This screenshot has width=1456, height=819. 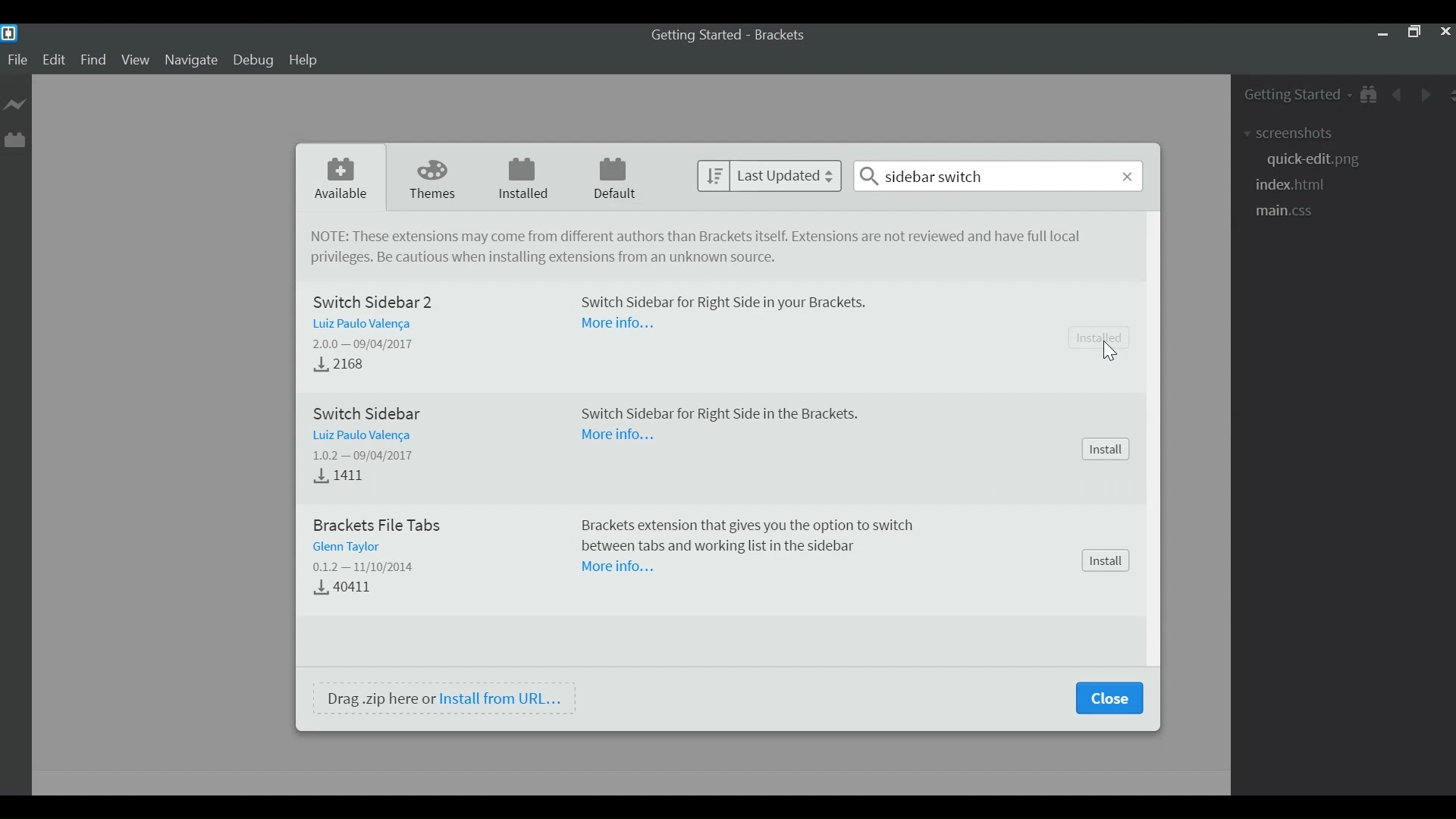 What do you see at coordinates (620, 567) in the screenshot?
I see `More Information` at bounding box center [620, 567].